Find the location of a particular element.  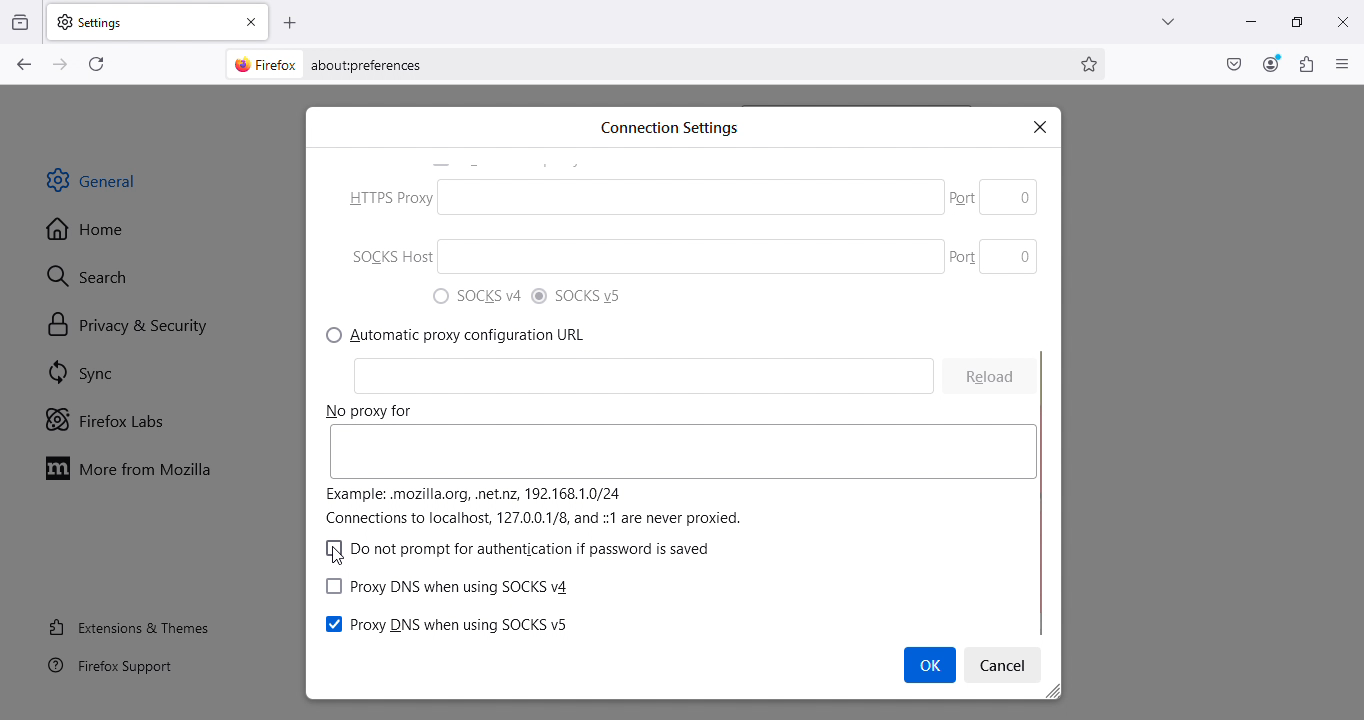

") SOCKS v4 is located at coordinates (520, 549).